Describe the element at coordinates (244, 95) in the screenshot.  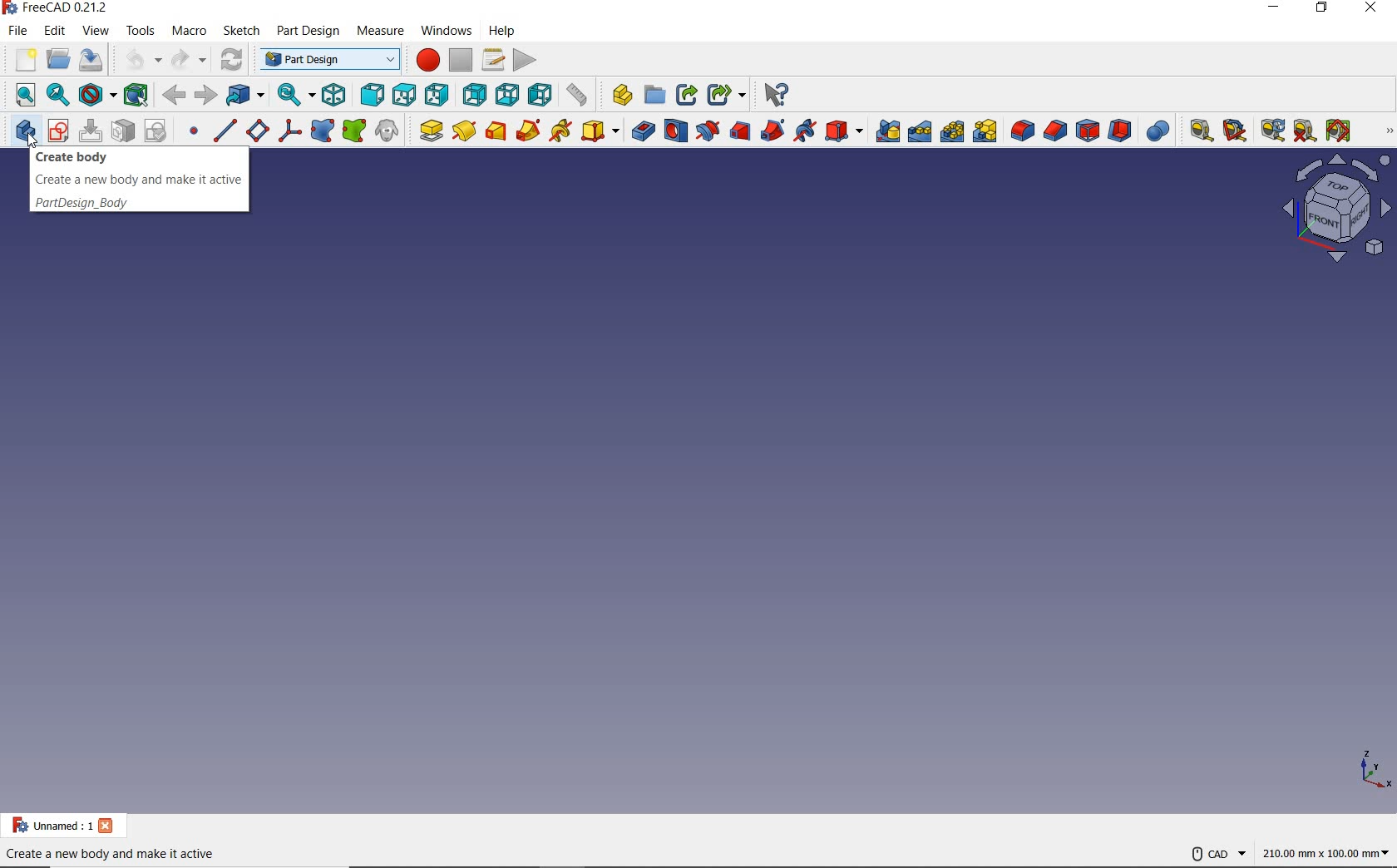
I see `go to linked object ` at that location.